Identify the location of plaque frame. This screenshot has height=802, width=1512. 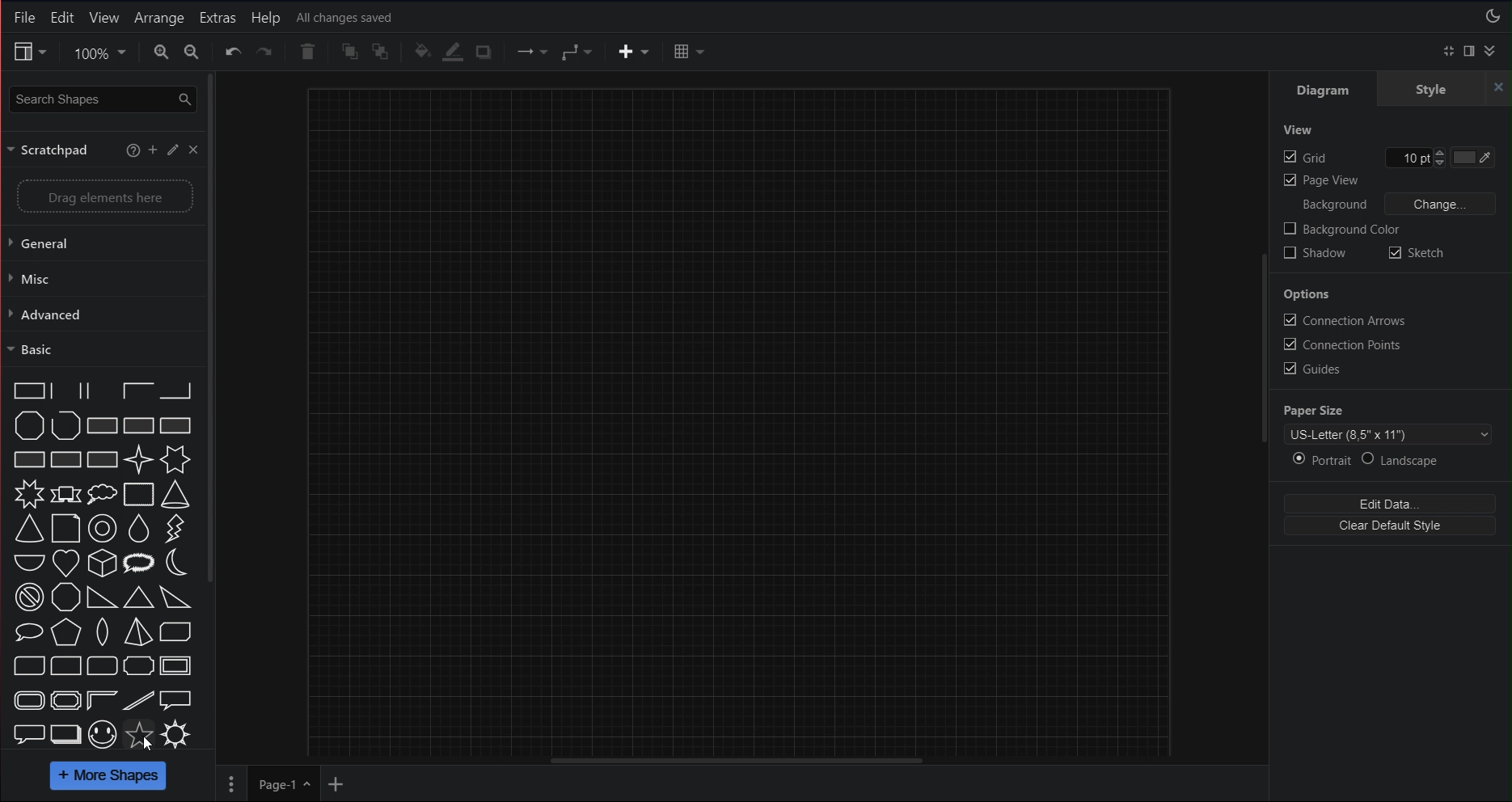
(65, 699).